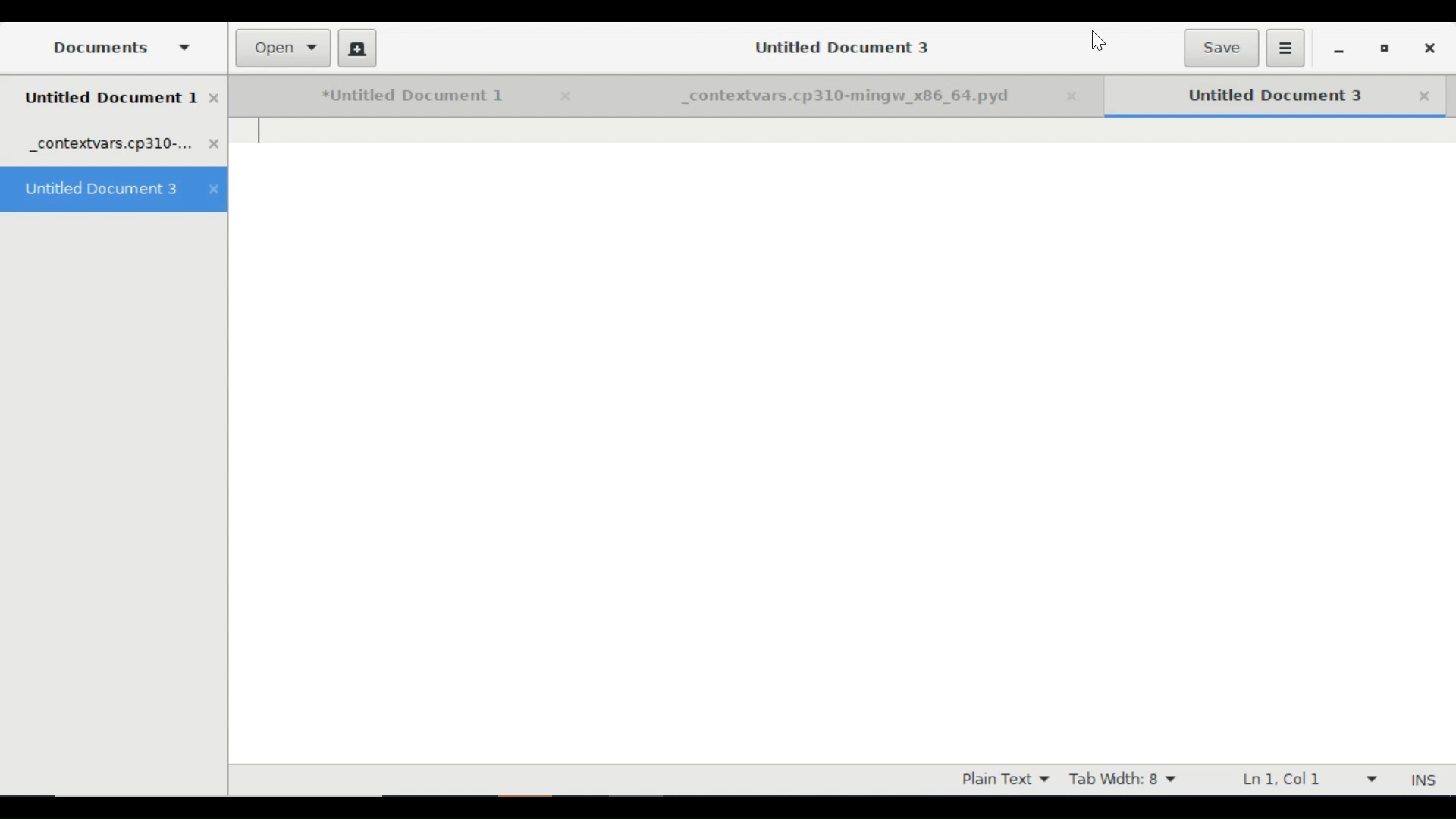 The width and height of the screenshot is (1456, 819). What do you see at coordinates (123, 99) in the screenshot?
I see `Untitled Document 1 tab` at bounding box center [123, 99].